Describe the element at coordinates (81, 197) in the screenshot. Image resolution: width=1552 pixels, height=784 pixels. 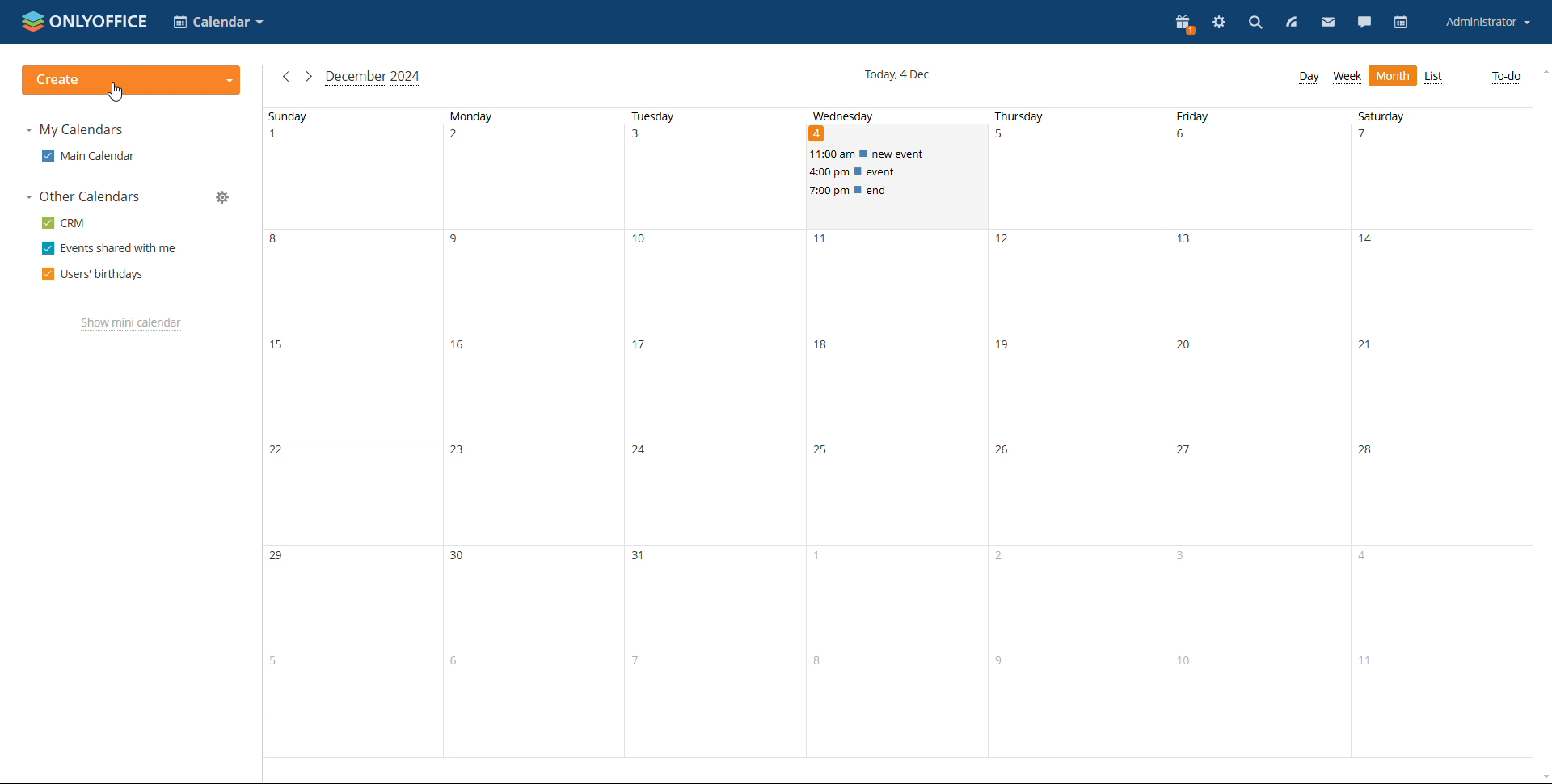
I see `other calendars` at that location.